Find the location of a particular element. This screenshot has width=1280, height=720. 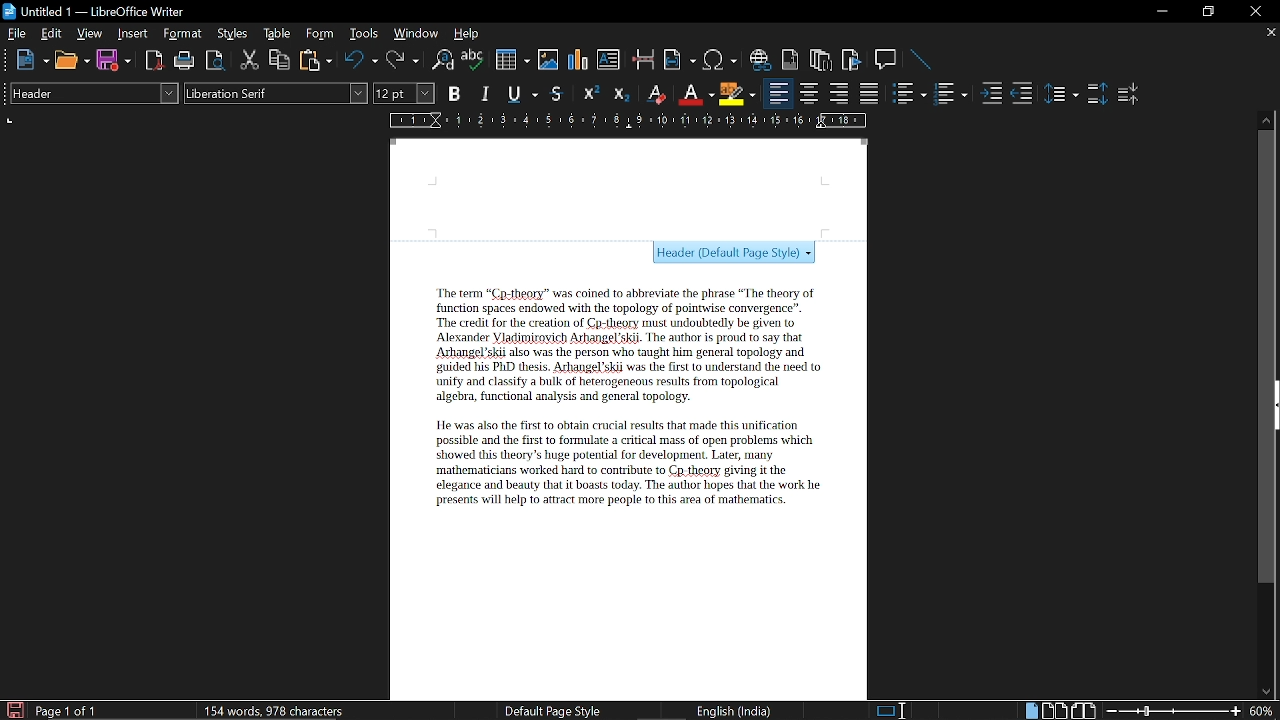

WIndow is located at coordinates (417, 33).